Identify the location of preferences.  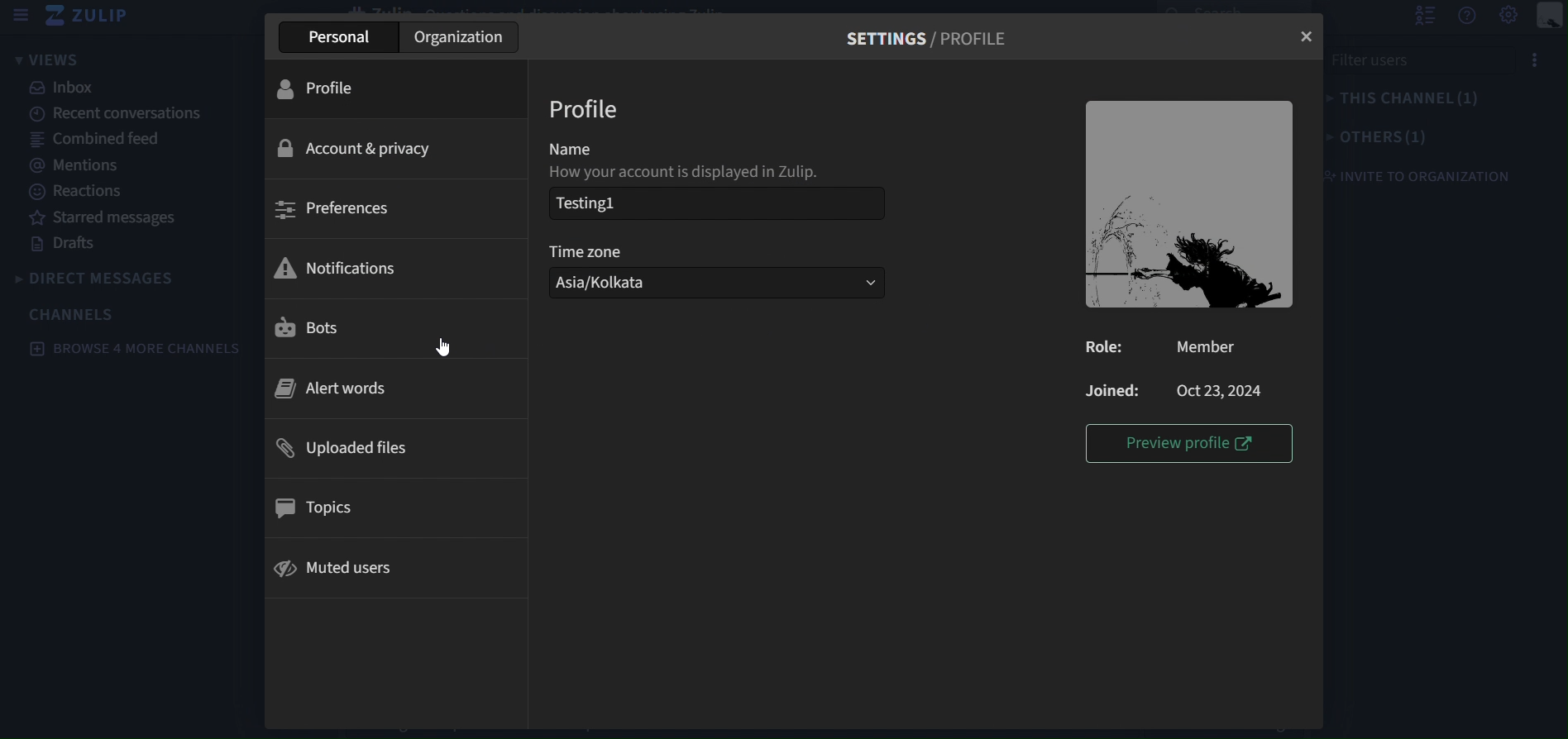
(396, 207).